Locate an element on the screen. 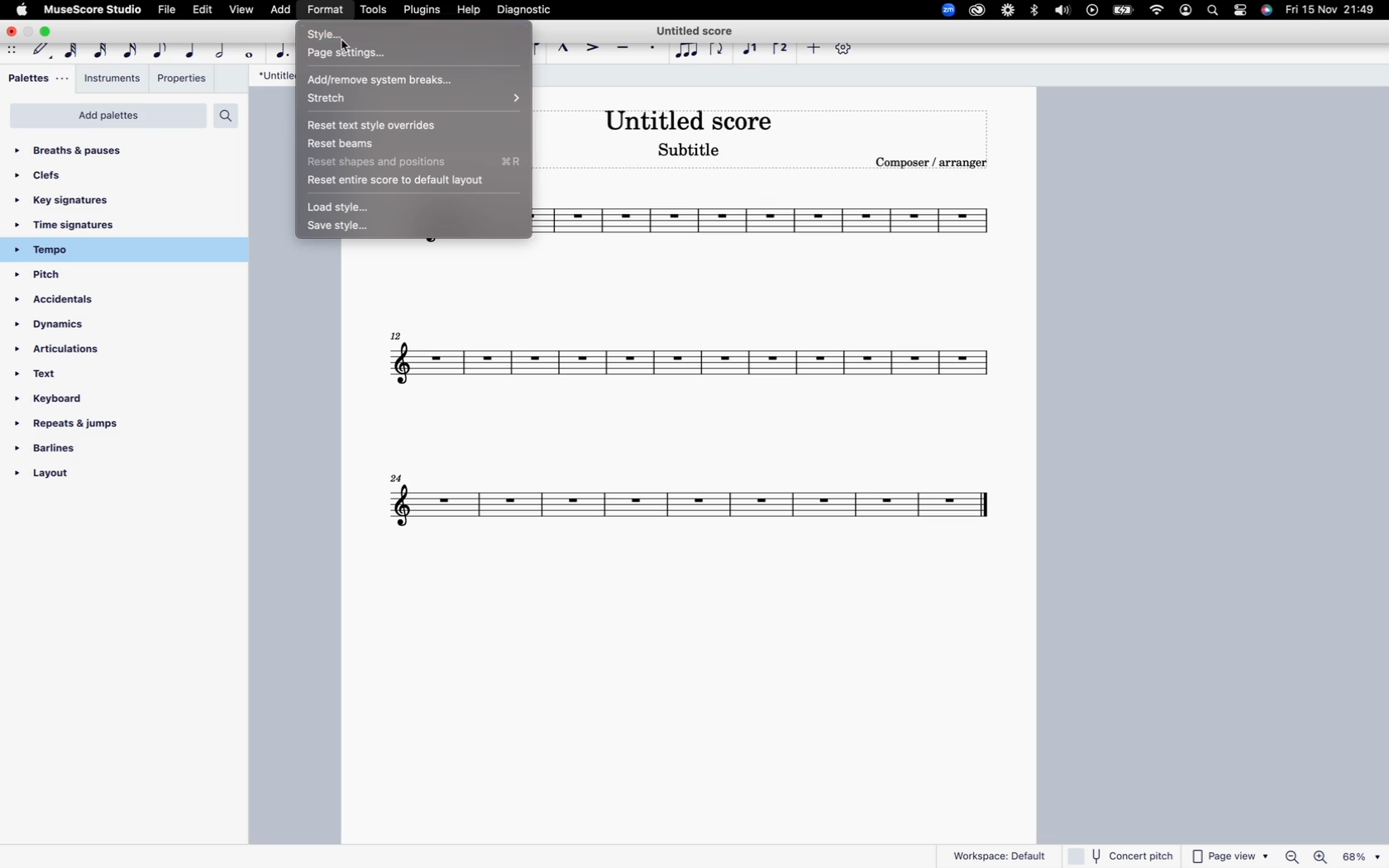 This screenshot has width=1389, height=868. maximize is located at coordinates (48, 31).